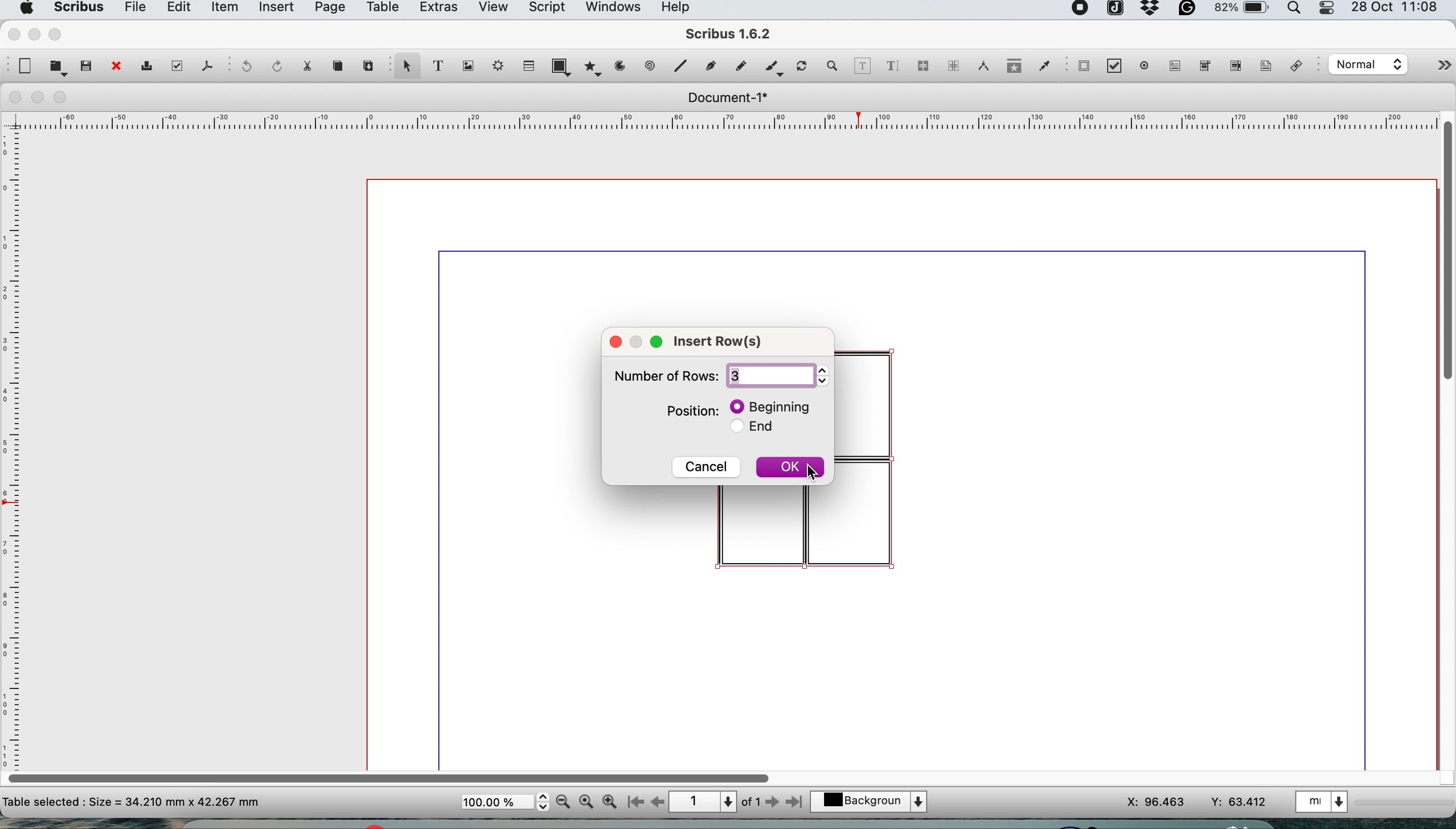 The width and height of the screenshot is (1456, 829). What do you see at coordinates (1264, 65) in the screenshot?
I see `text annotation` at bounding box center [1264, 65].